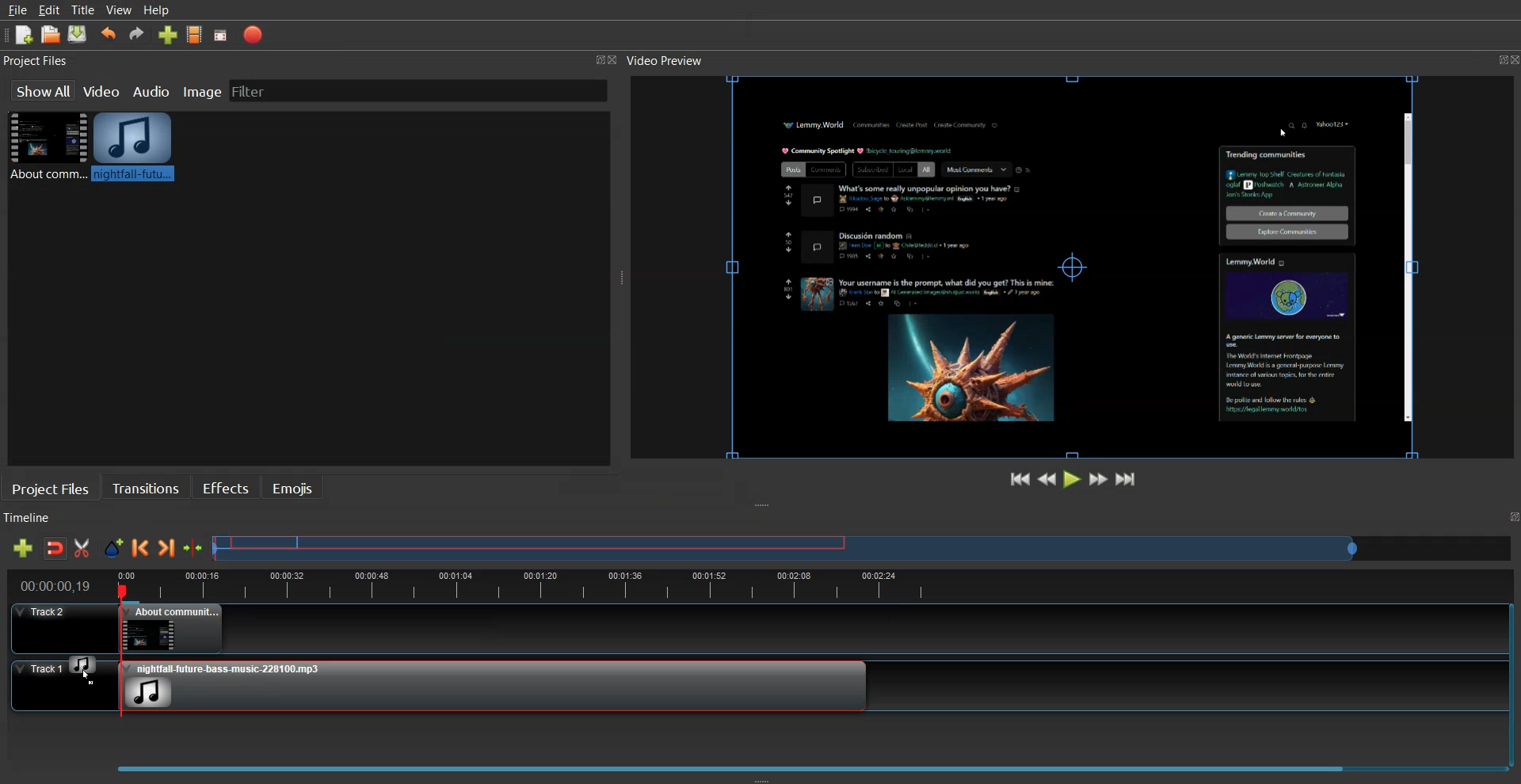 The image size is (1521, 784). I want to click on Maximize, so click(599, 59).